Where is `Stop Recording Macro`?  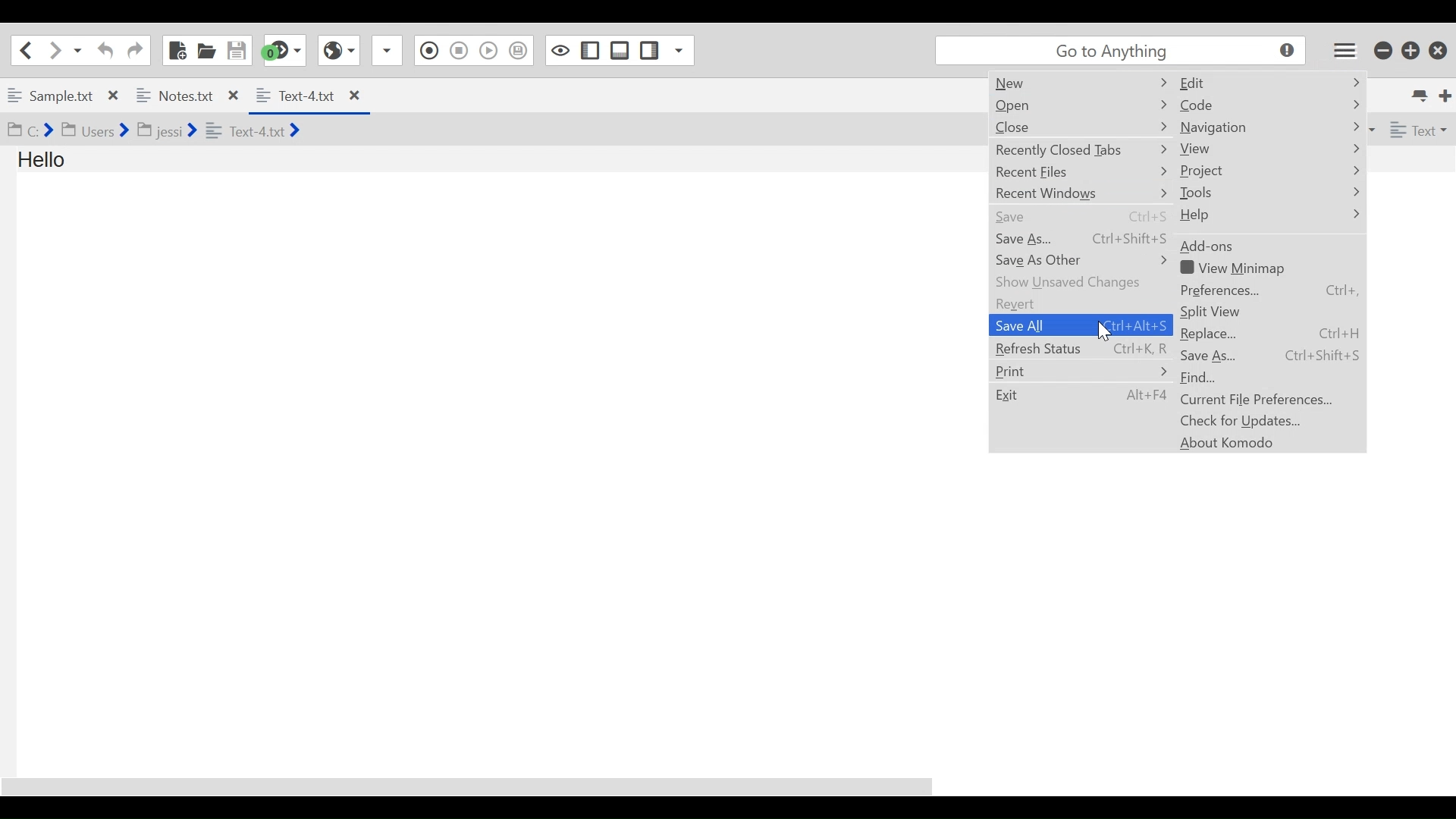
Stop Recording Macro is located at coordinates (458, 51).